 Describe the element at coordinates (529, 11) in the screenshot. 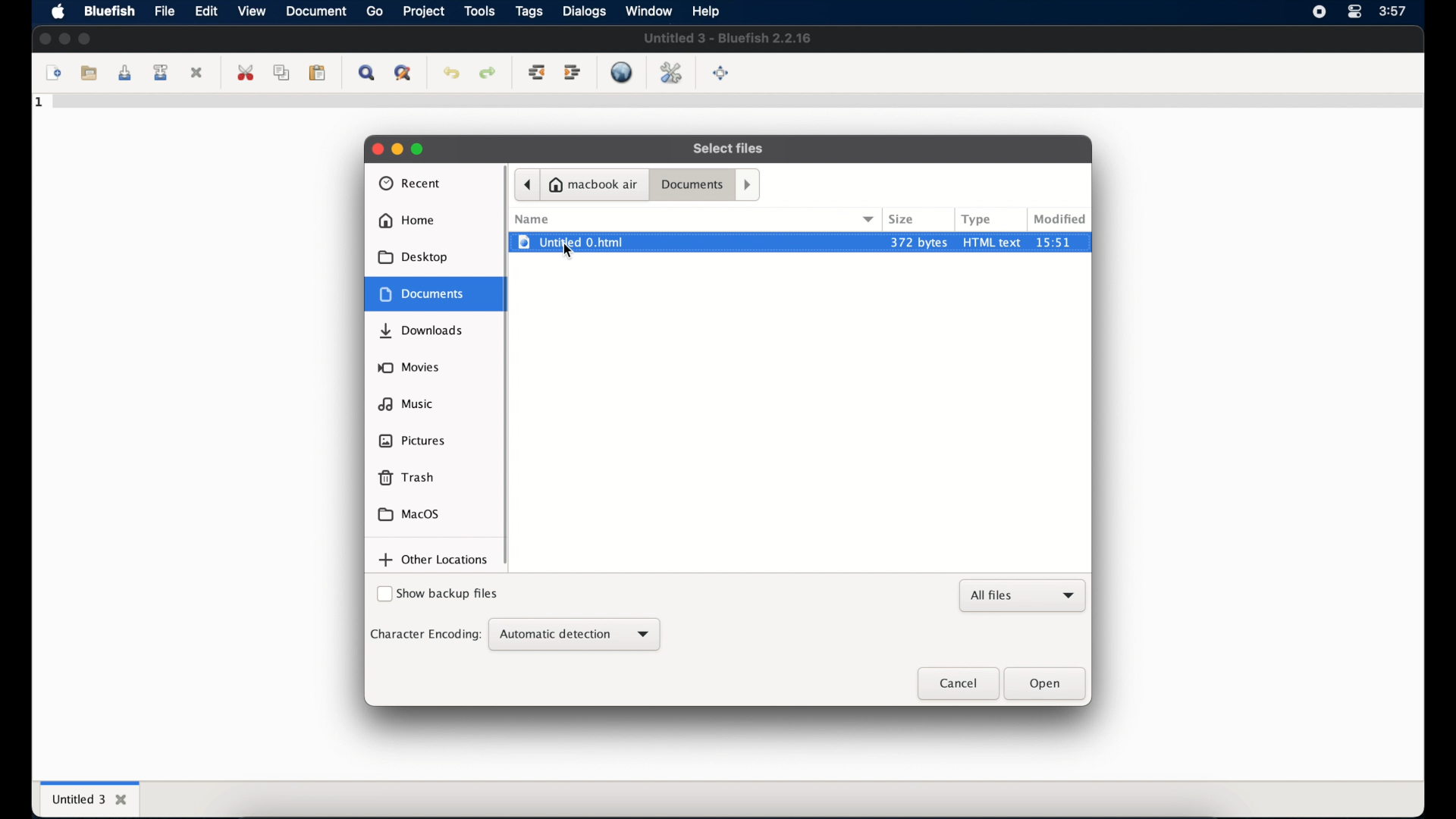

I see `tags` at that location.